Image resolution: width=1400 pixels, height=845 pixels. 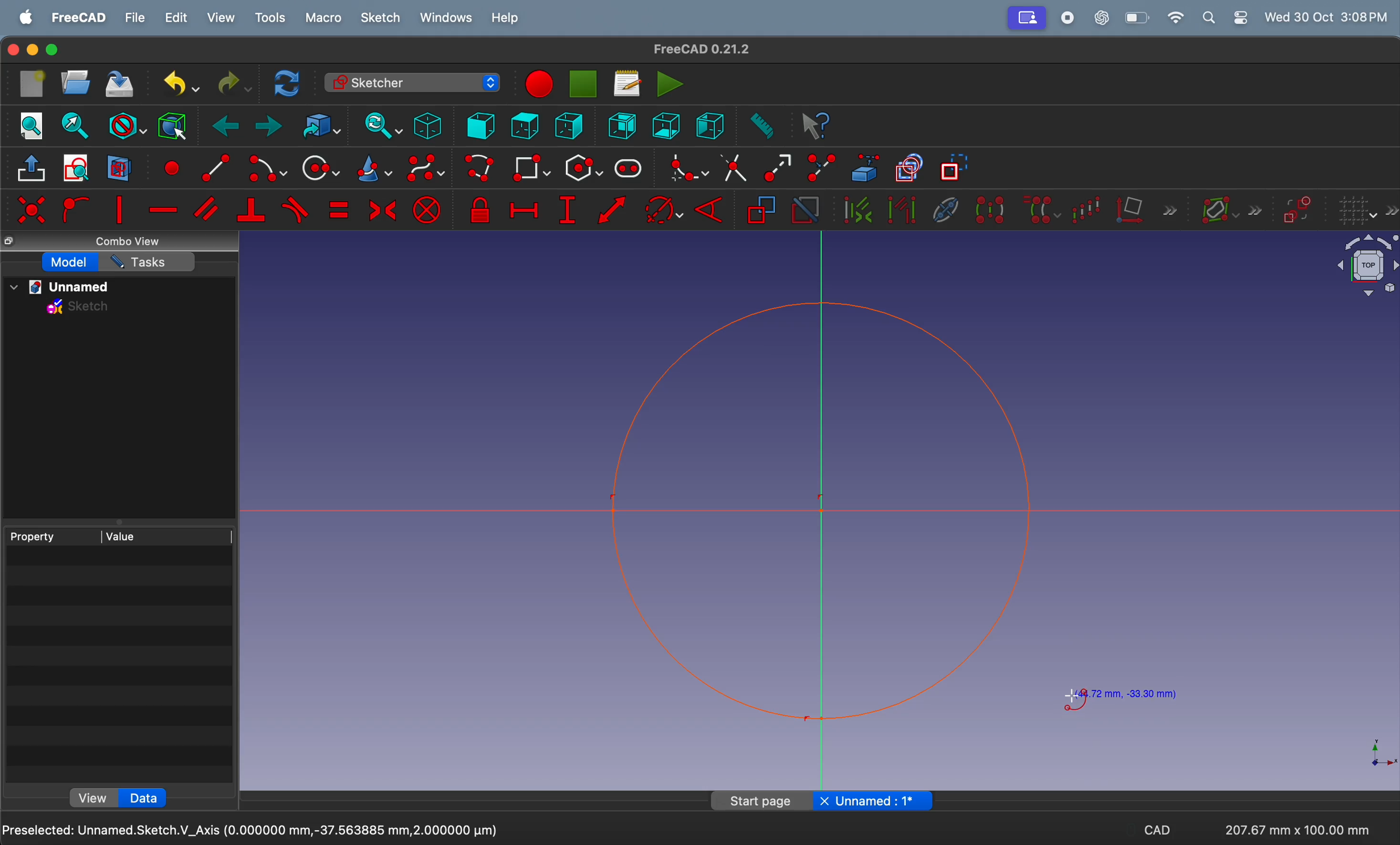 I want to click on Tasks, so click(x=147, y=262).